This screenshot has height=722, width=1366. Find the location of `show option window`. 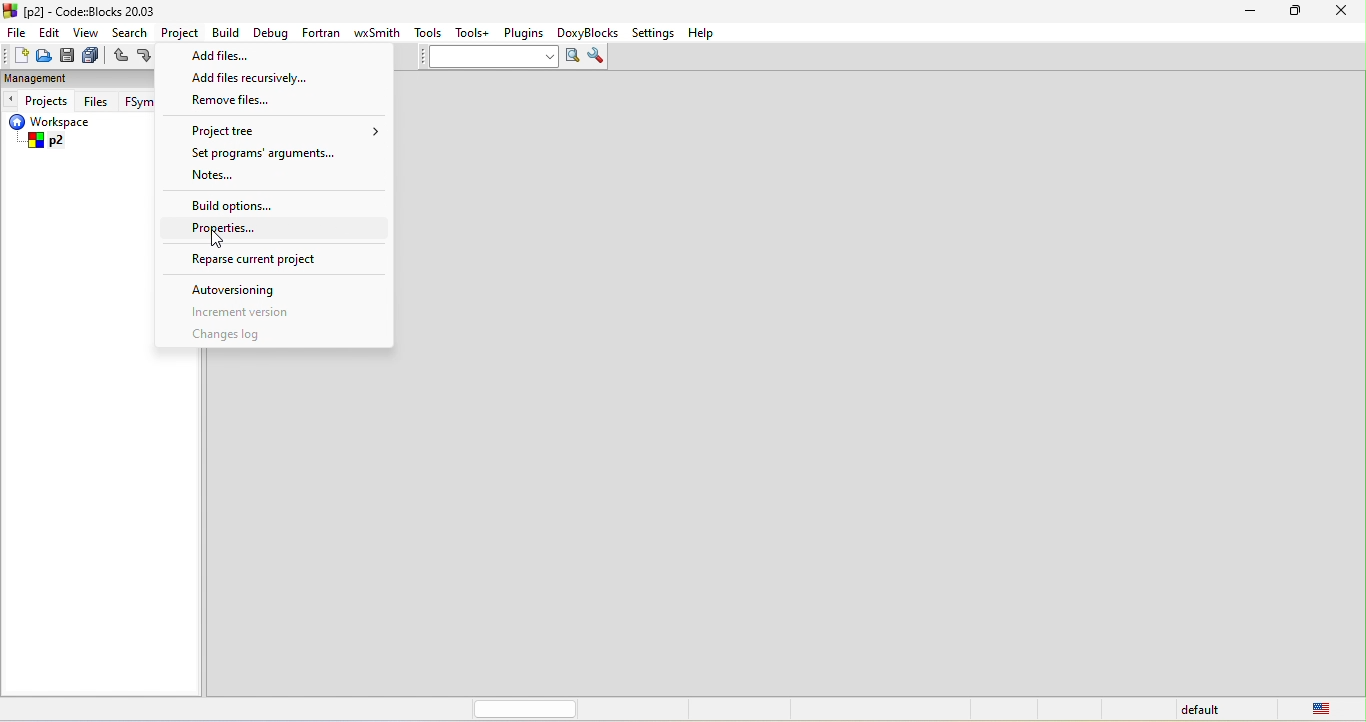

show option window is located at coordinates (598, 57).